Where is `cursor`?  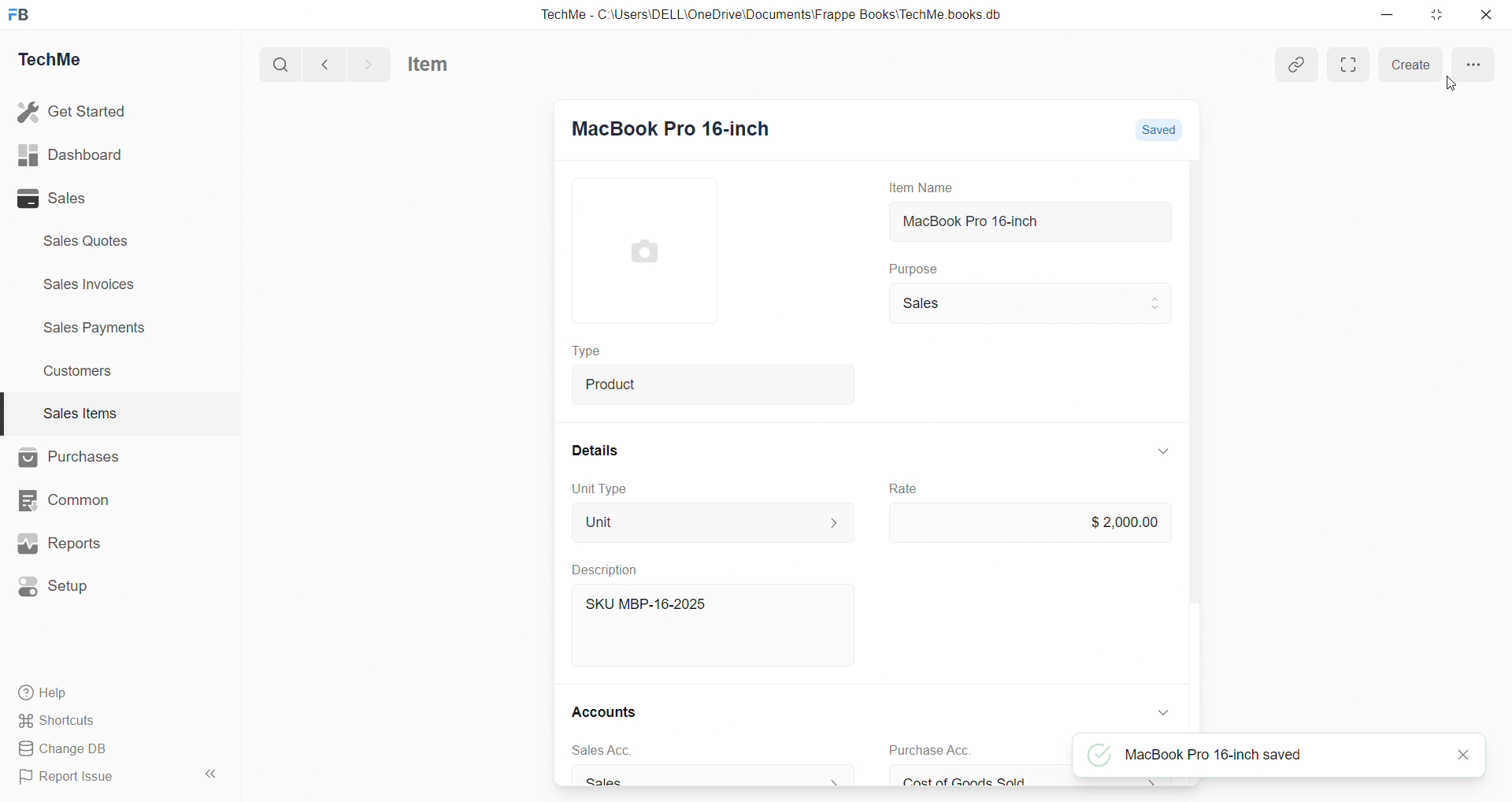
cursor is located at coordinates (1452, 84).